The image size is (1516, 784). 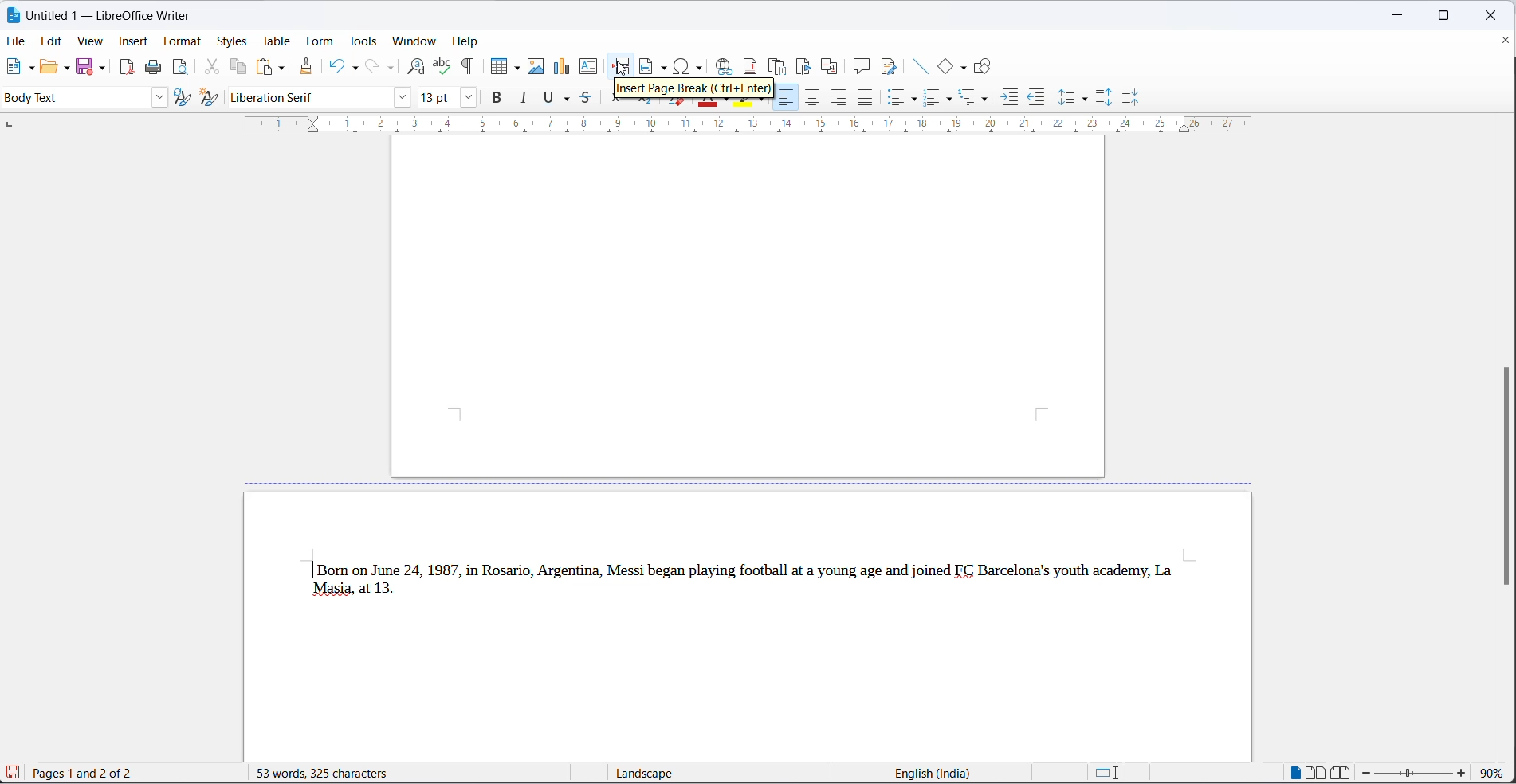 What do you see at coordinates (1506, 40) in the screenshot?
I see `close documents` at bounding box center [1506, 40].